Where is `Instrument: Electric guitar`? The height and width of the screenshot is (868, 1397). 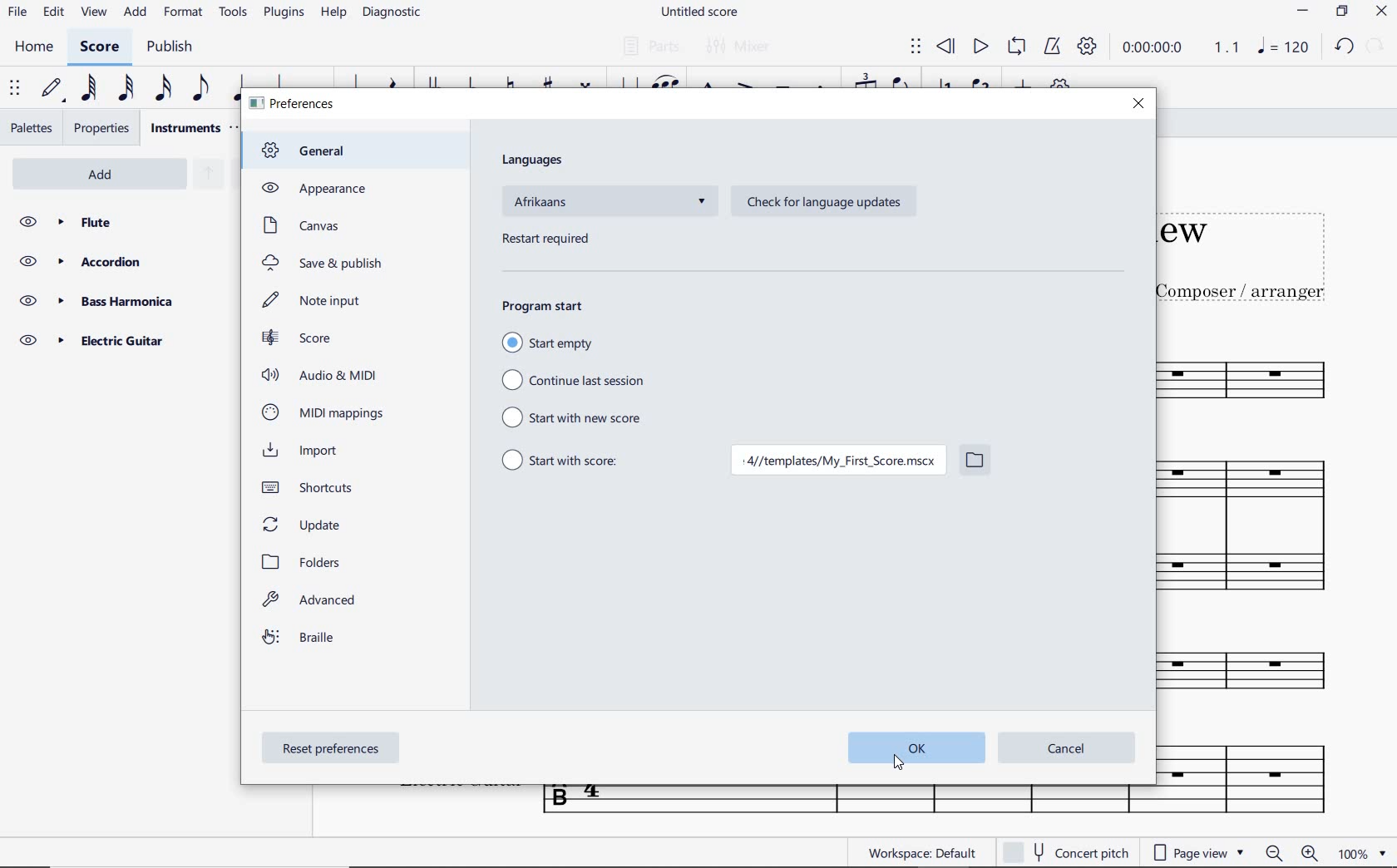 Instrument: Electric guitar is located at coordinates (1254, 777).